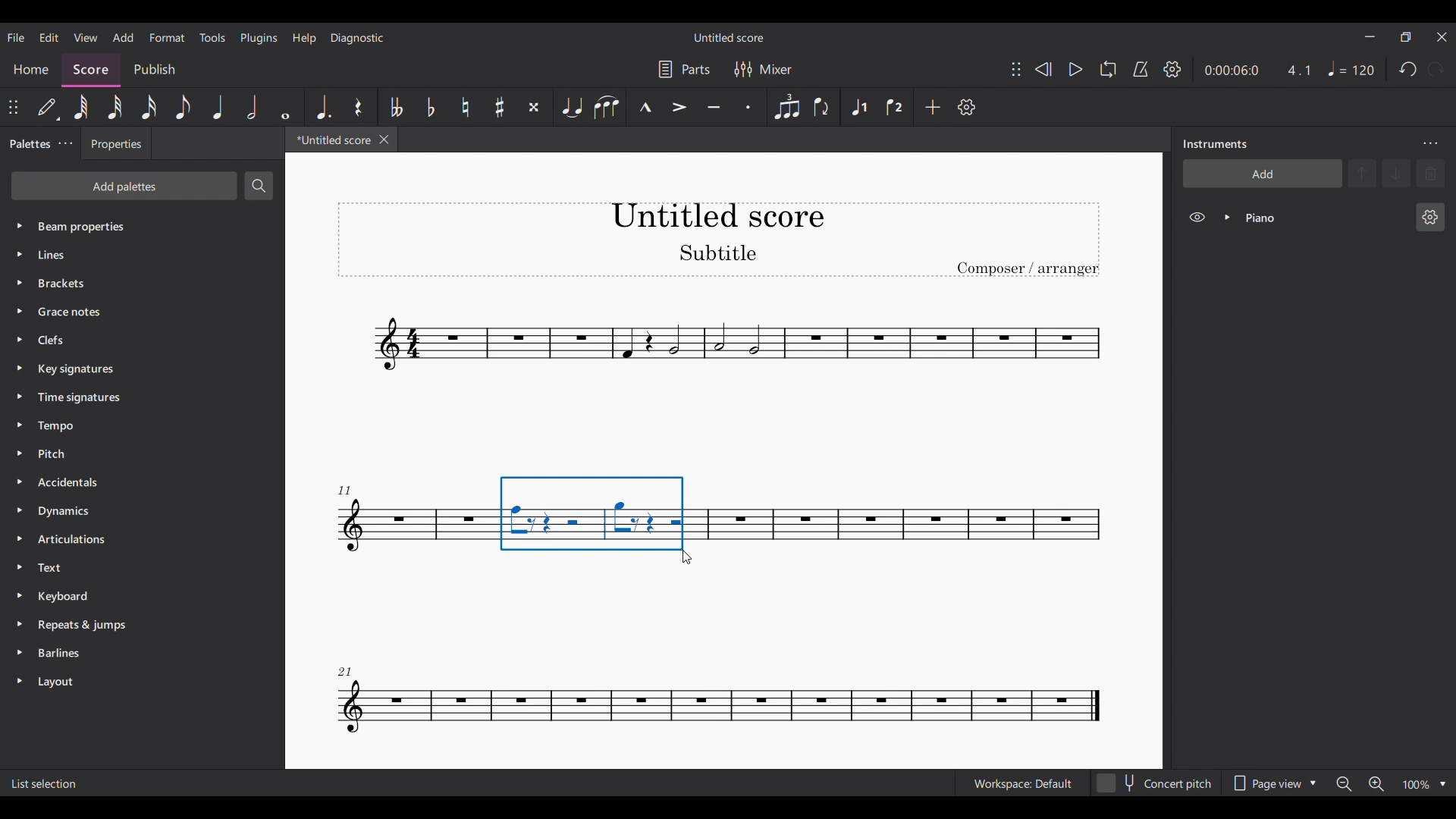 The image size is (1456, 819). I want to click on Lines, so click(135, 254).